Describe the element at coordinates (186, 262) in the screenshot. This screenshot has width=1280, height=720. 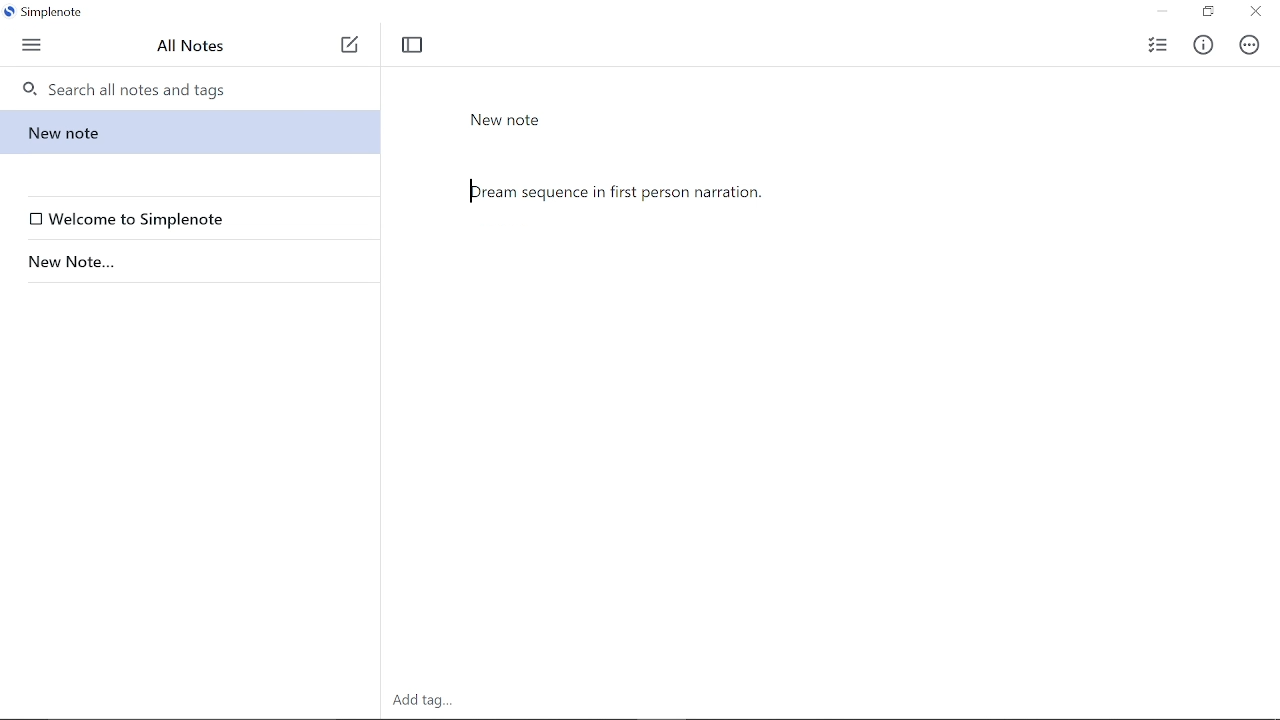
I see `New Note...` at that location.